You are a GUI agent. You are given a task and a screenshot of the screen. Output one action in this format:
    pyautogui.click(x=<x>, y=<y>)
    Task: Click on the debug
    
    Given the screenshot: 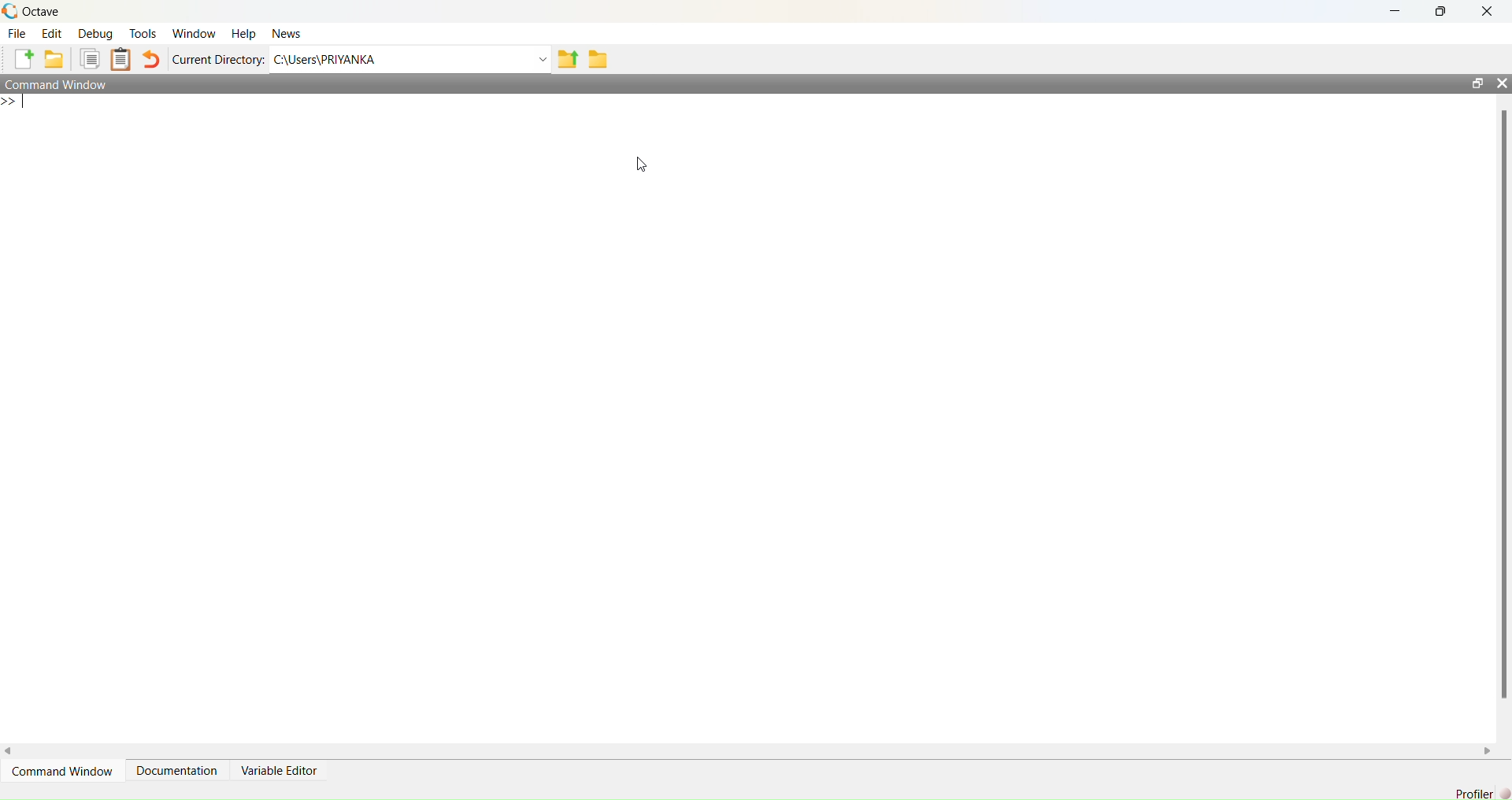 What is the action you would take?
    pyautogui.click(x=96, y=35)
    